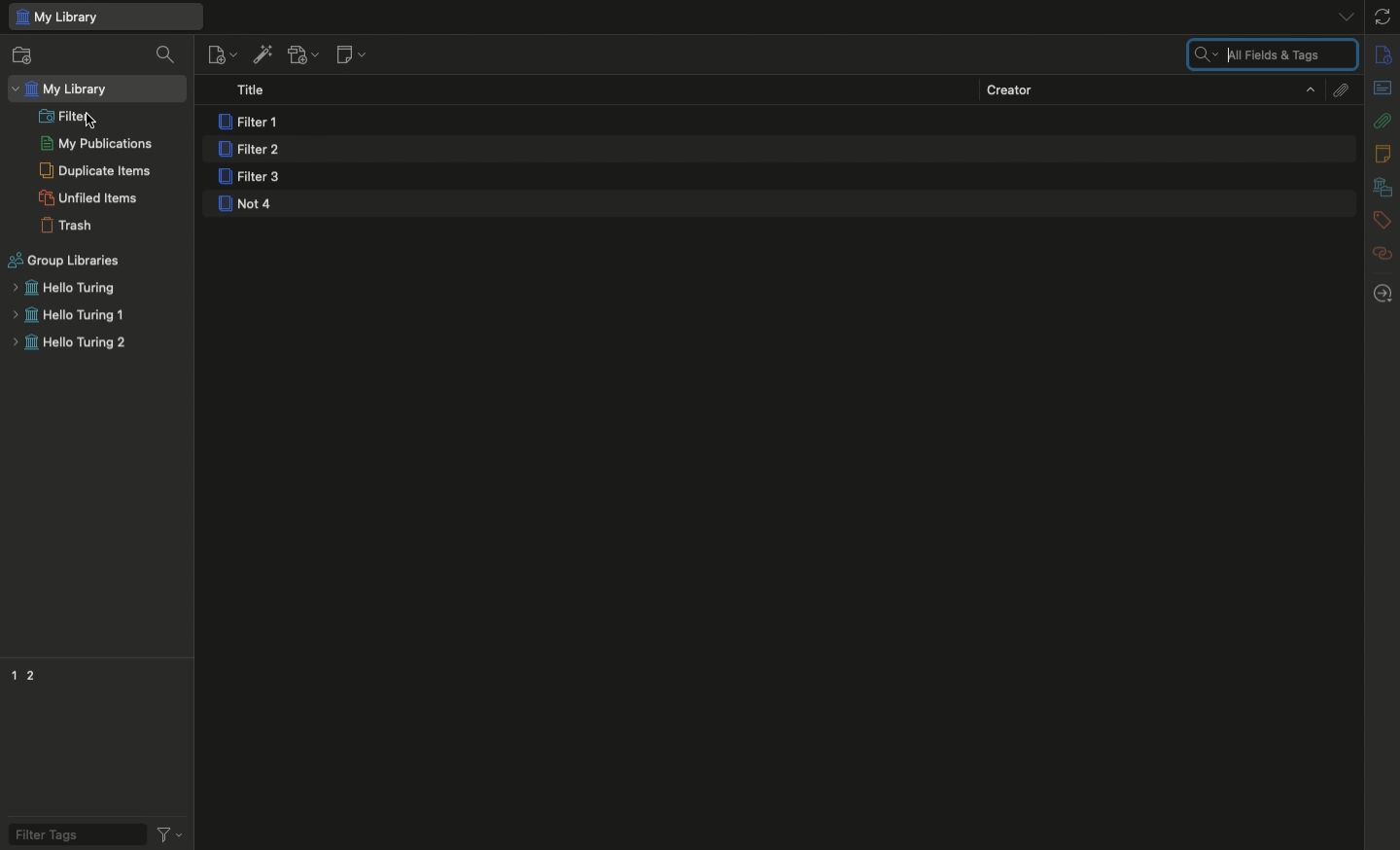 This screenshot has width=1400, height=850. What do you see at coordinates (262, 54) in the screenshot?
I see `Add items by identifier` at bounding box center [262, 54].